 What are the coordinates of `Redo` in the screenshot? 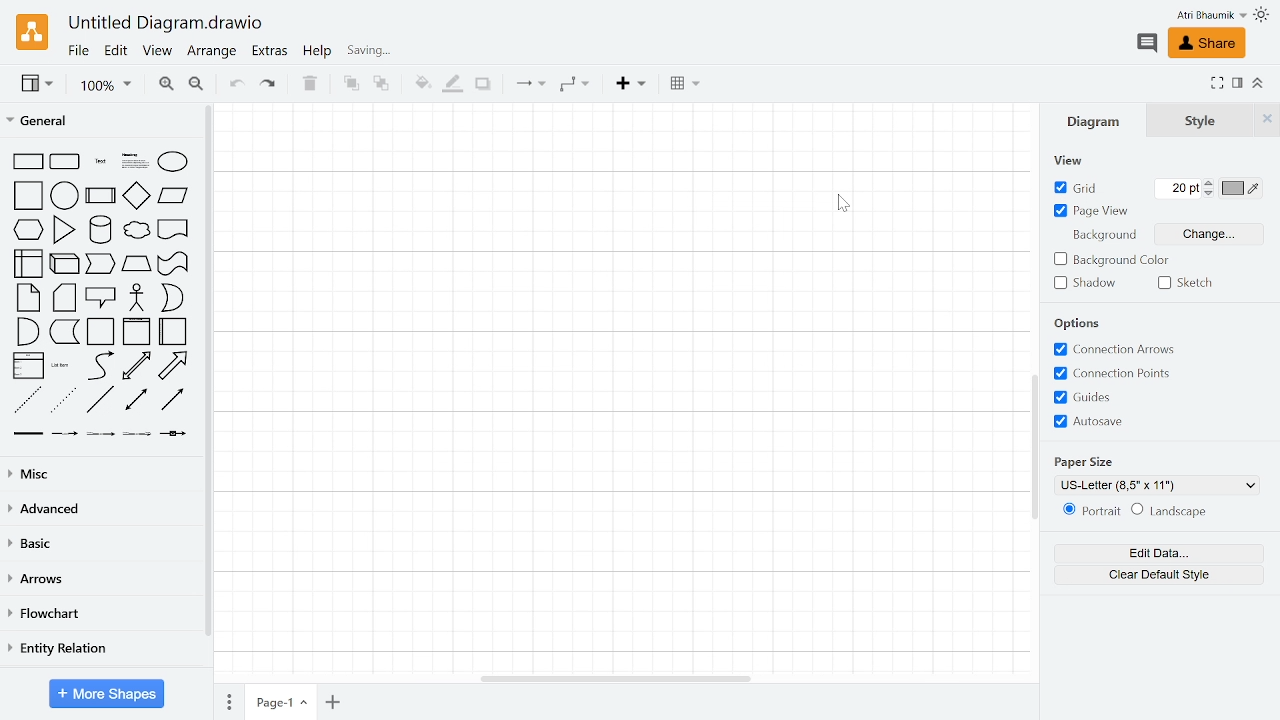 It's located at (269, 85).